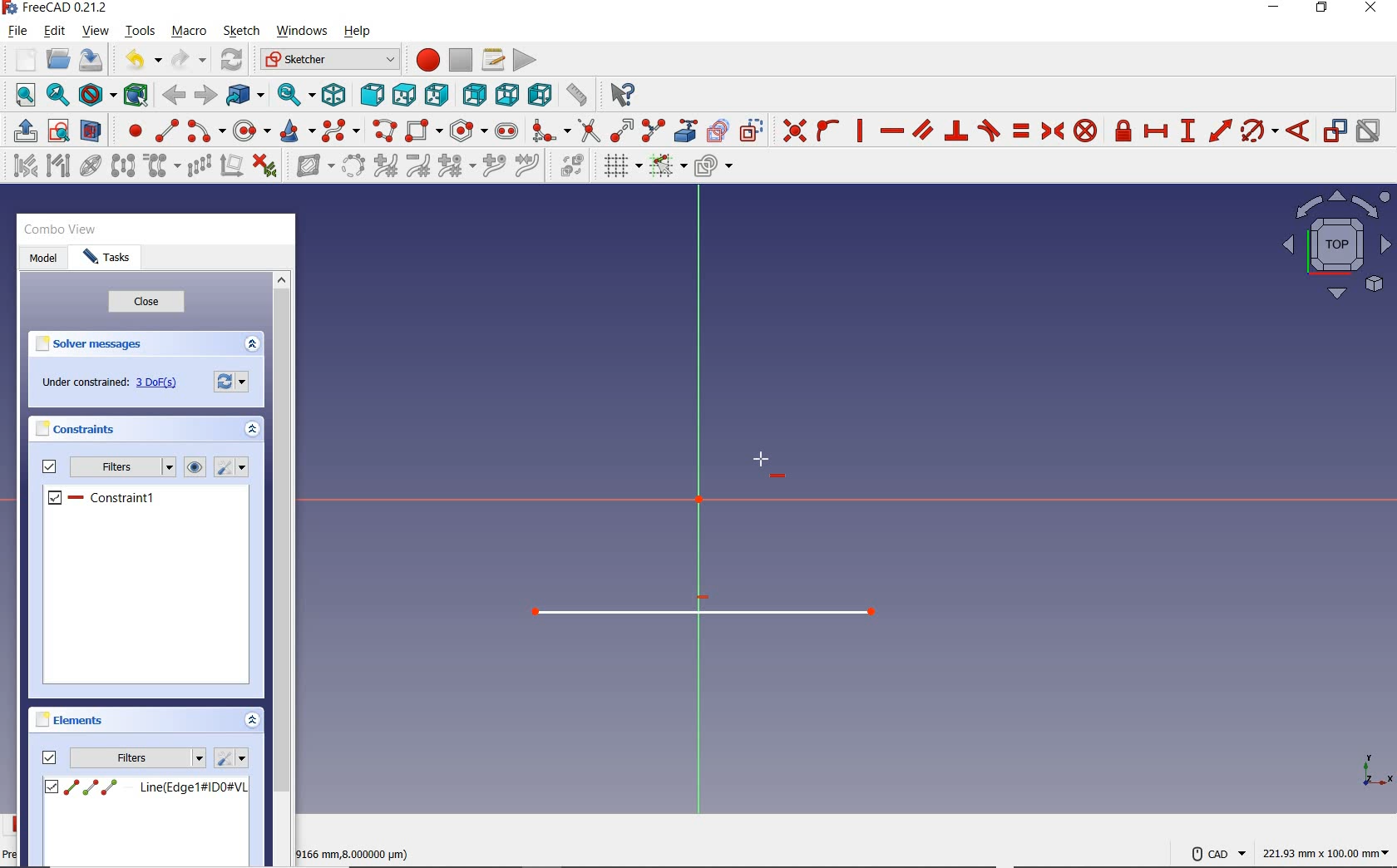 Image resolution: width=1397 pixels, height=868 pixels. What do you see at coordinates (233, 61) in the screenshot?
I see `REFRESH` at bounding box center [233, 61].